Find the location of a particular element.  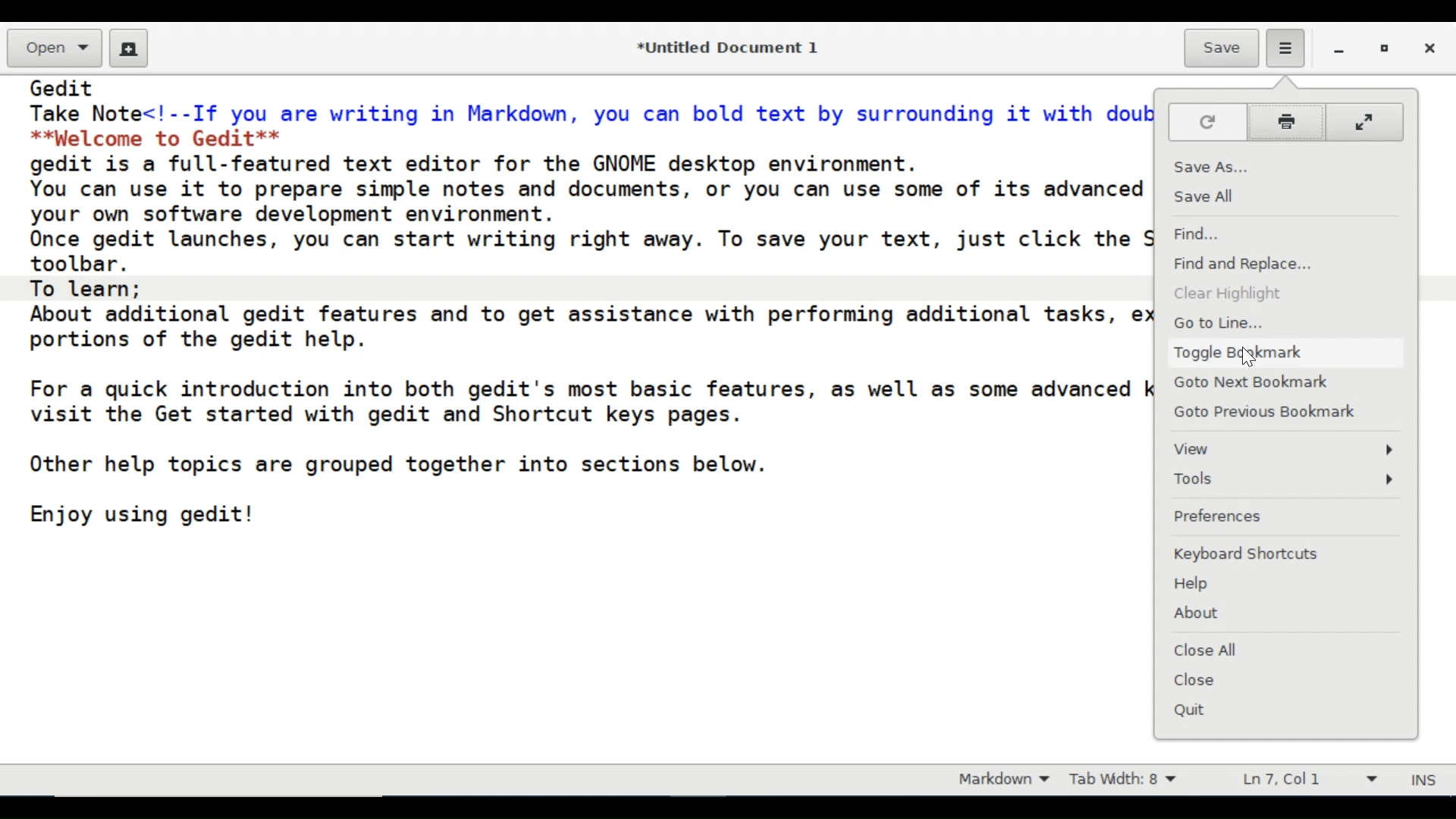

About is located at coordinates (1197, 614).